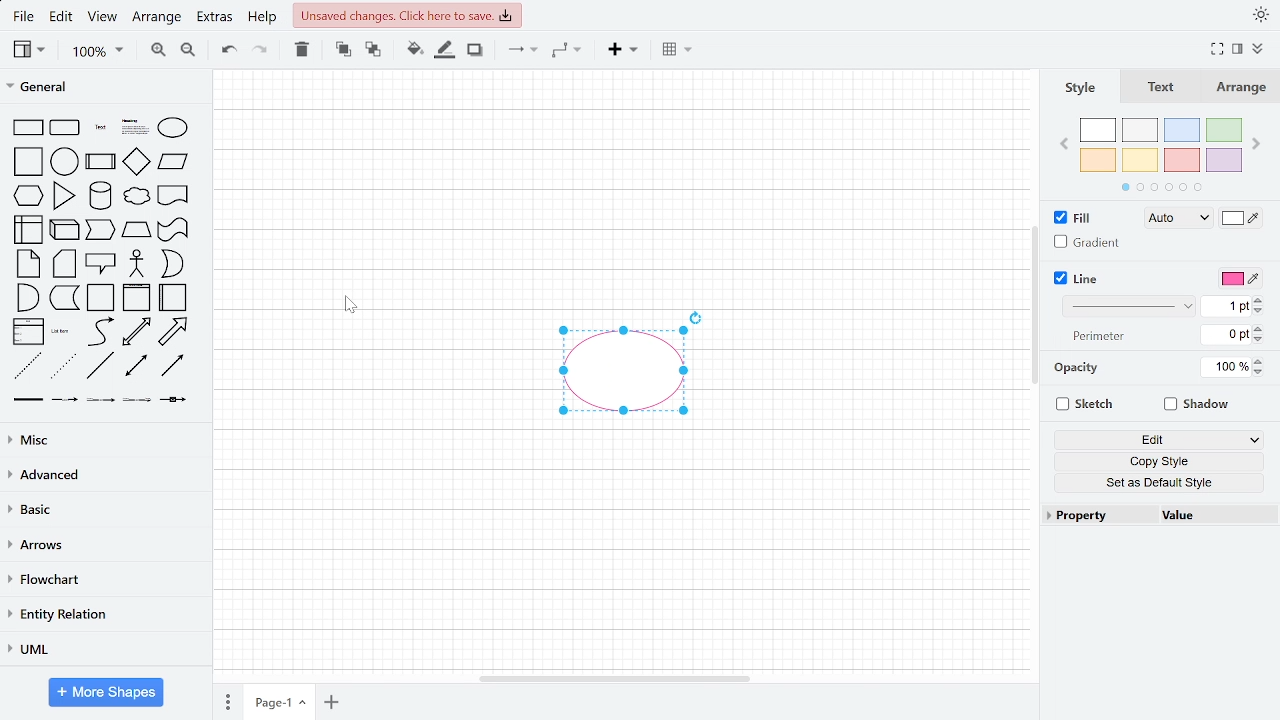 The height and width of the screenshot is (720, 1280). Describe the element at coordinates (1182, 160) in the screenshot. I see `red` at that location.